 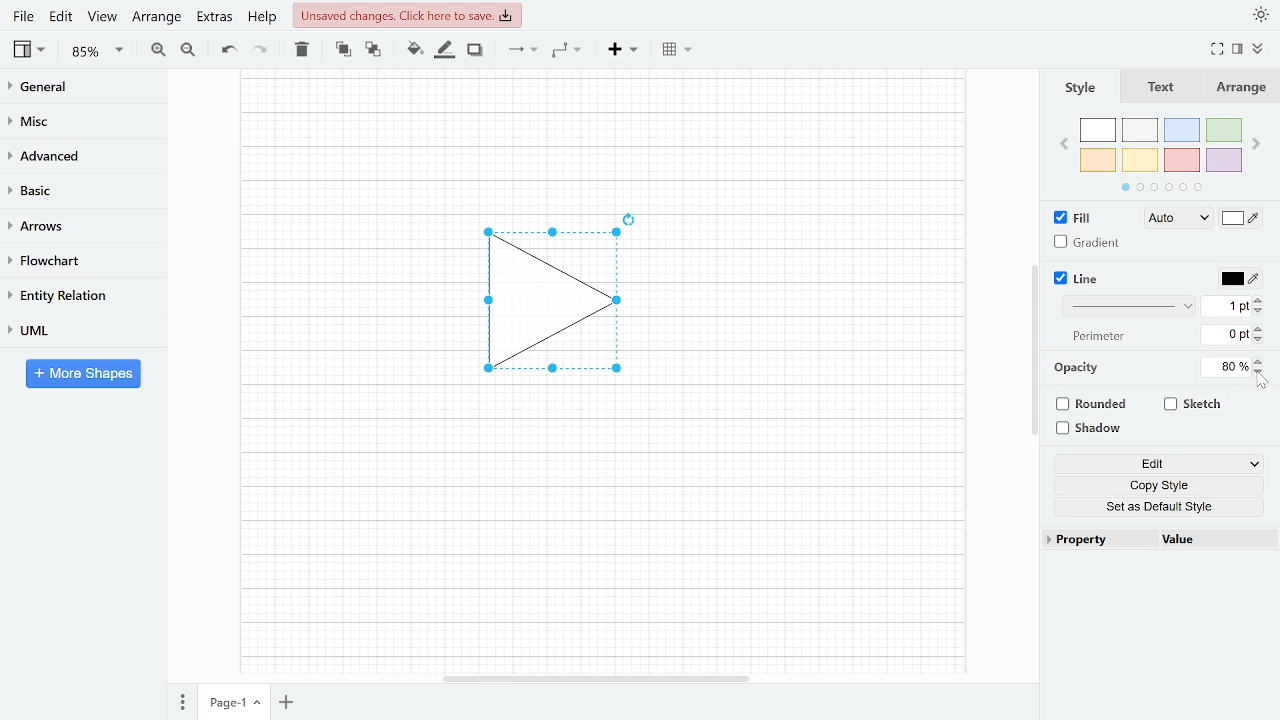 What do you see at coordinates (1194, 404) in the screenshot?
I see `Sketch` at bounding box center [1194, 404].